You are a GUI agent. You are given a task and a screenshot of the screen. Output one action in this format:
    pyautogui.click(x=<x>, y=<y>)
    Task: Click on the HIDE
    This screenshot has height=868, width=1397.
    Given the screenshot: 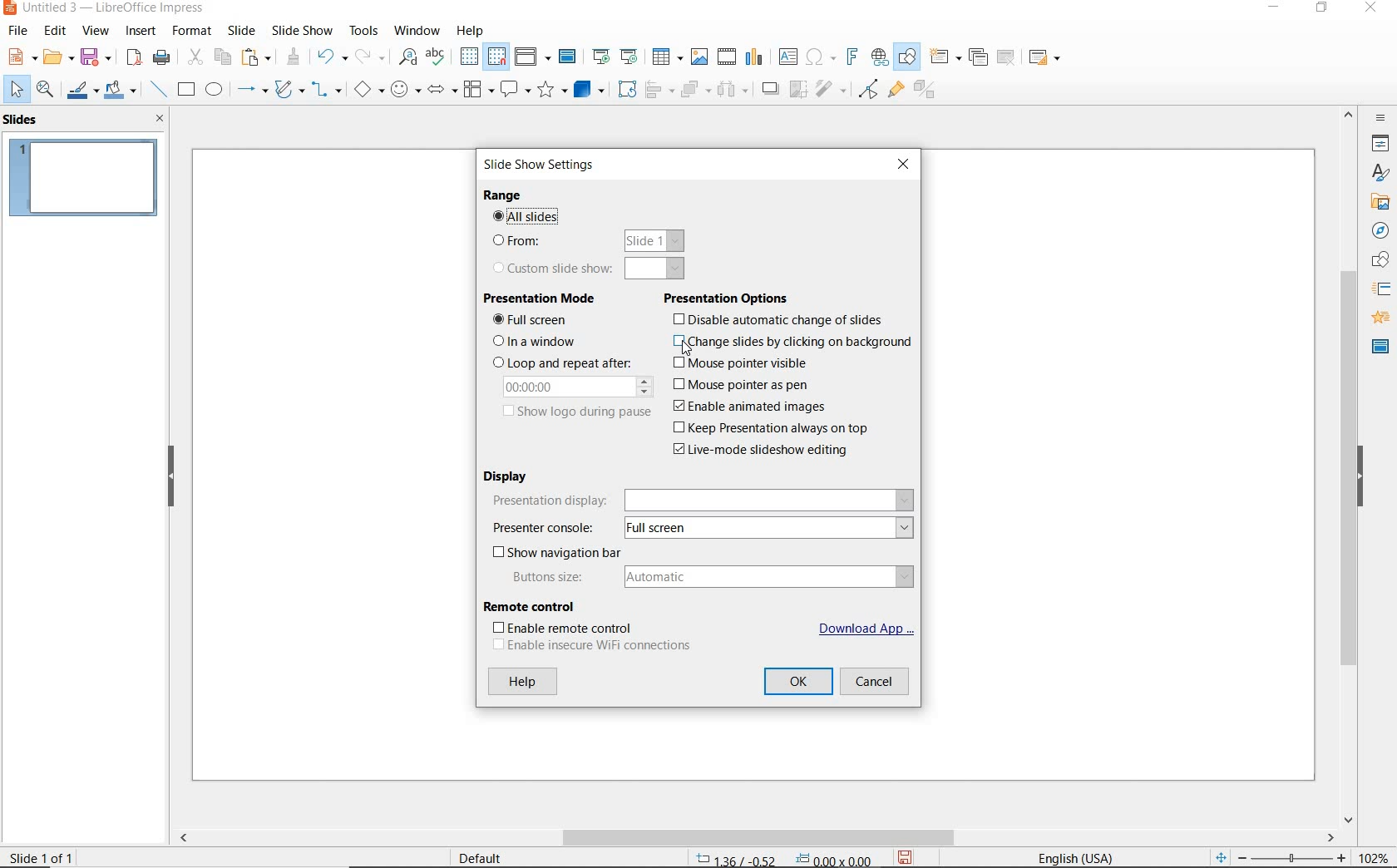 What is the action you would take?
    pyautogui.click(x=170, y=478)
    